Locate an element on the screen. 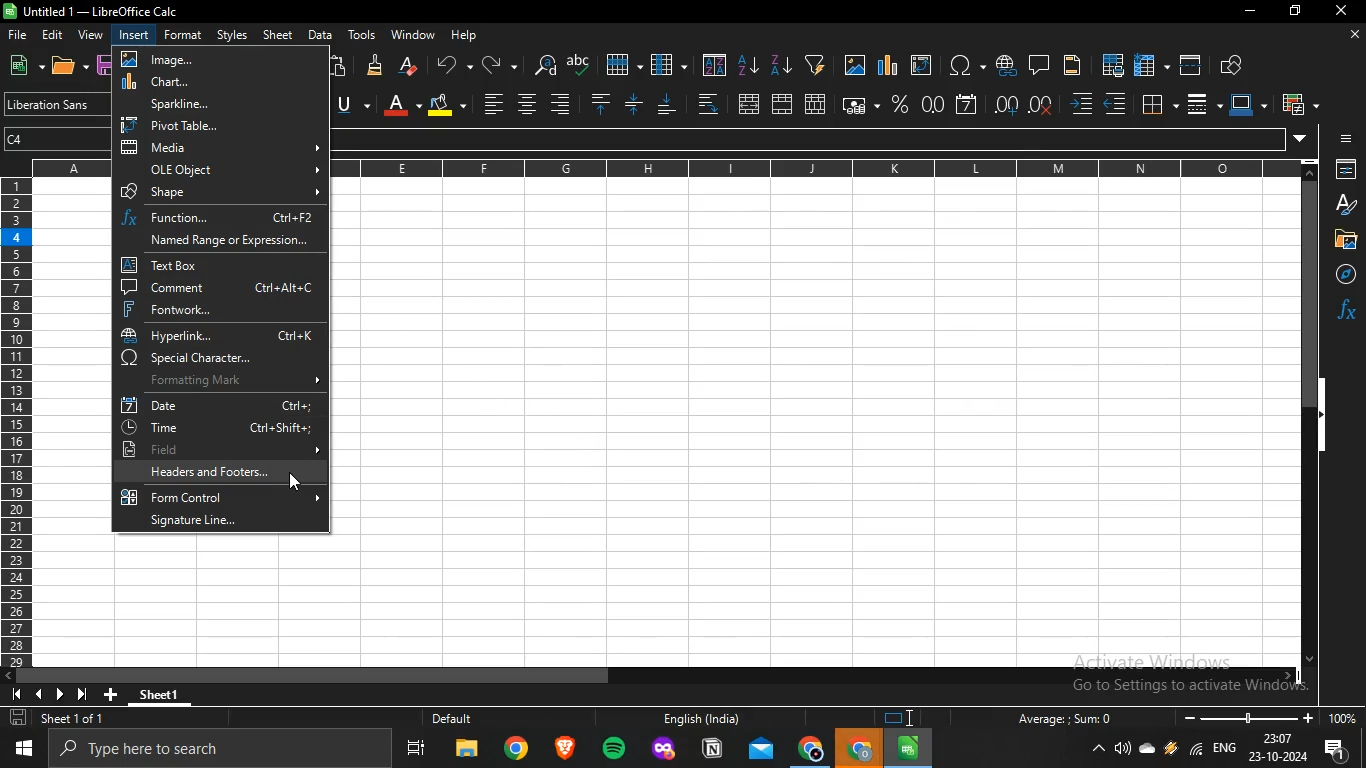 The height and width of the screenshot is (768, 1366). field is located at coordinates (220, 448).